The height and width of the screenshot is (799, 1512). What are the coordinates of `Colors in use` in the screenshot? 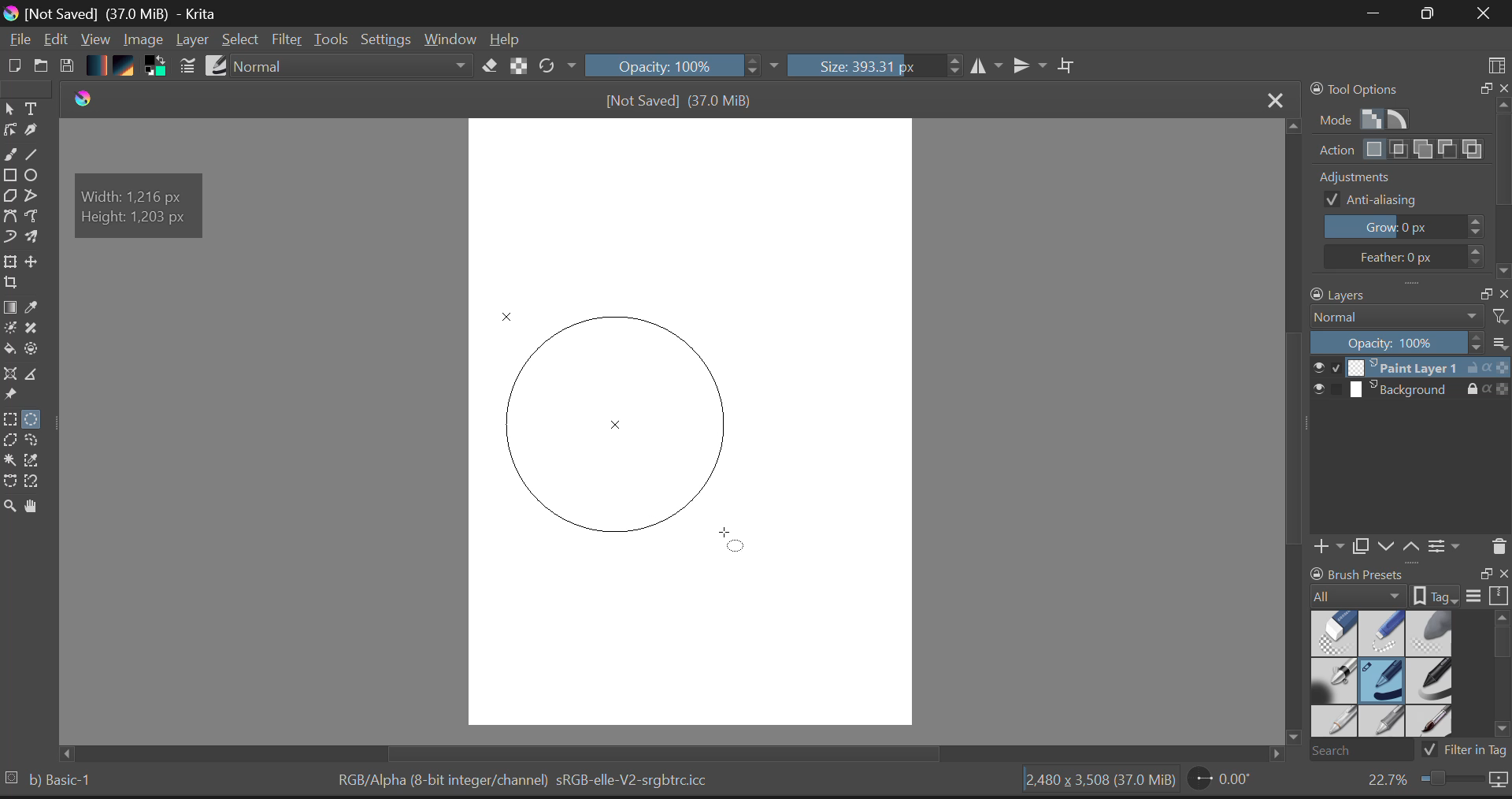 It's located at (155, 67).